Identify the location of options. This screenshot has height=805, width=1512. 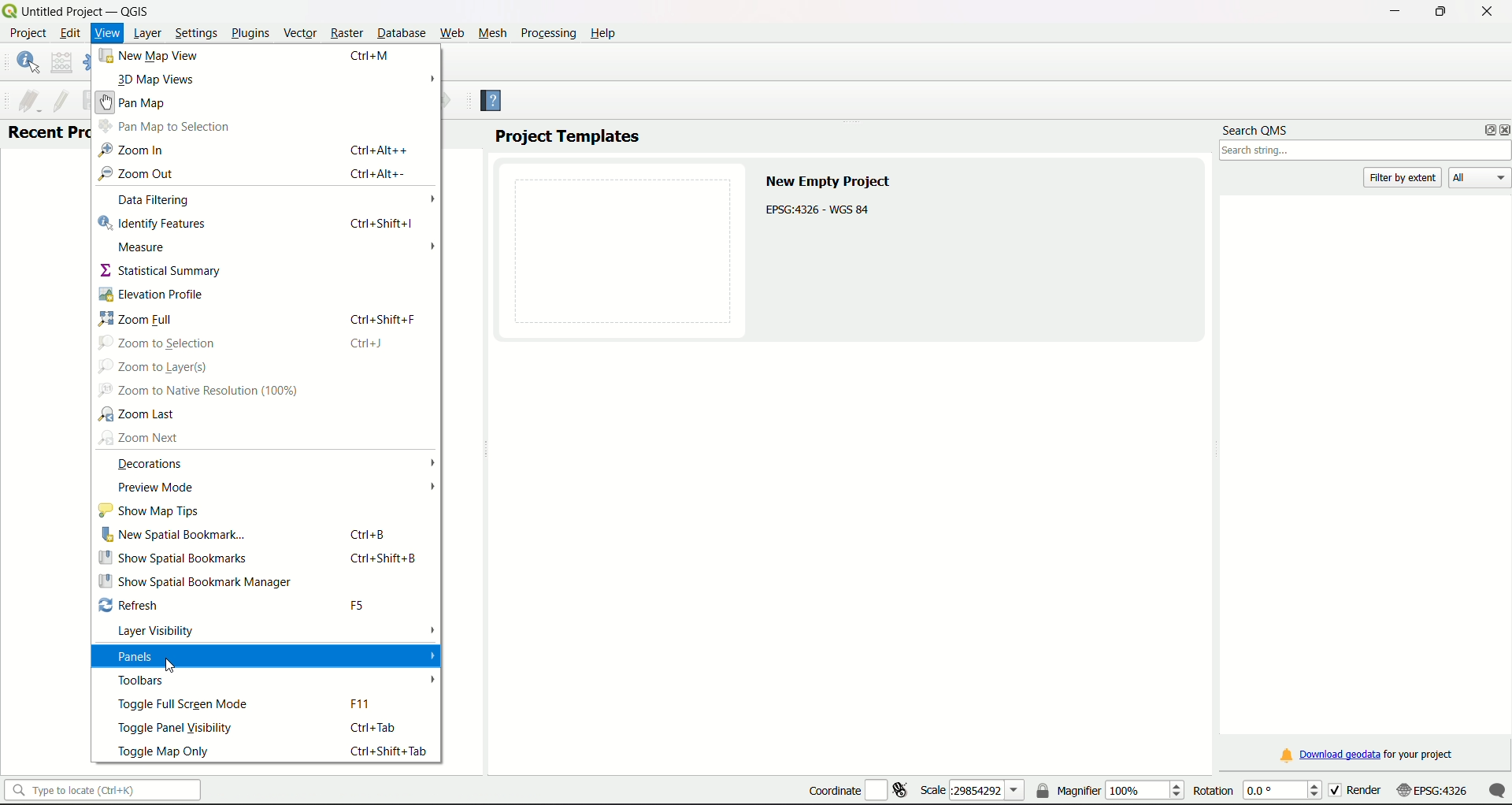
(1484, 130).